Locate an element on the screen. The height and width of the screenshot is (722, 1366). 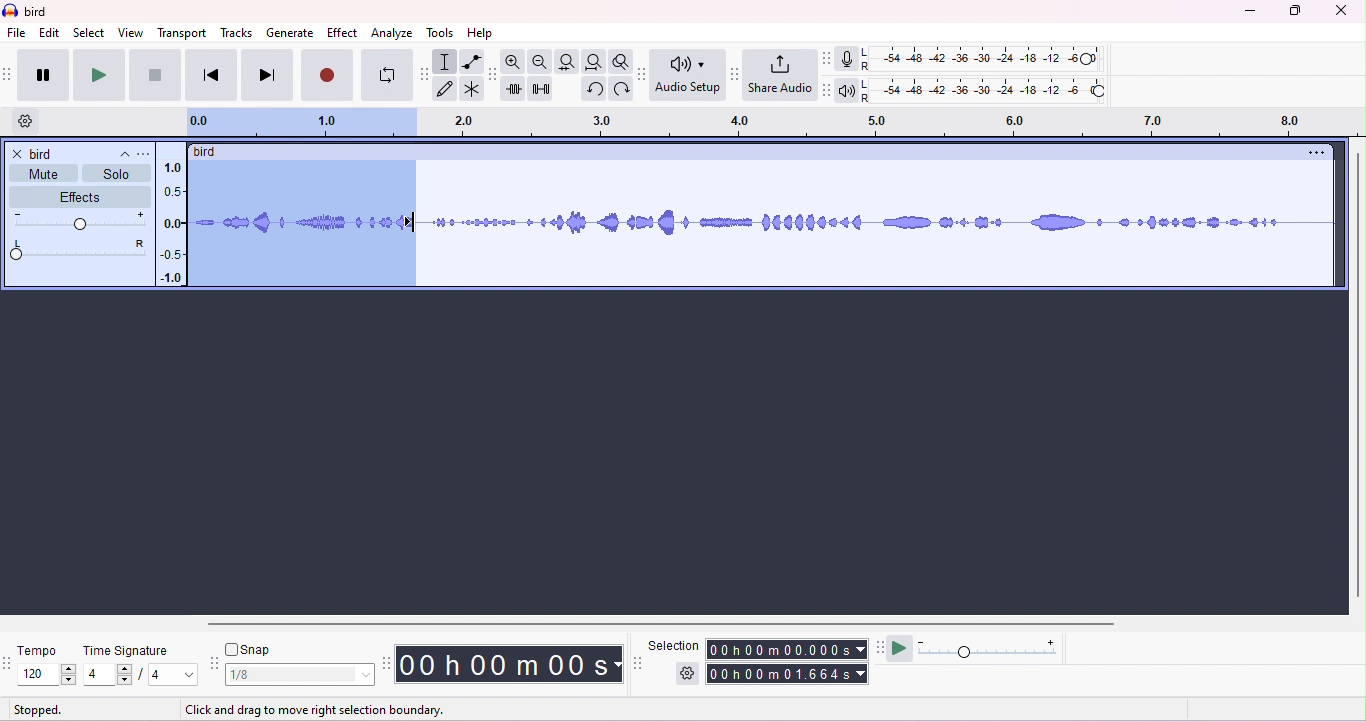
tools tool bar is located at coordinates (423, 73).